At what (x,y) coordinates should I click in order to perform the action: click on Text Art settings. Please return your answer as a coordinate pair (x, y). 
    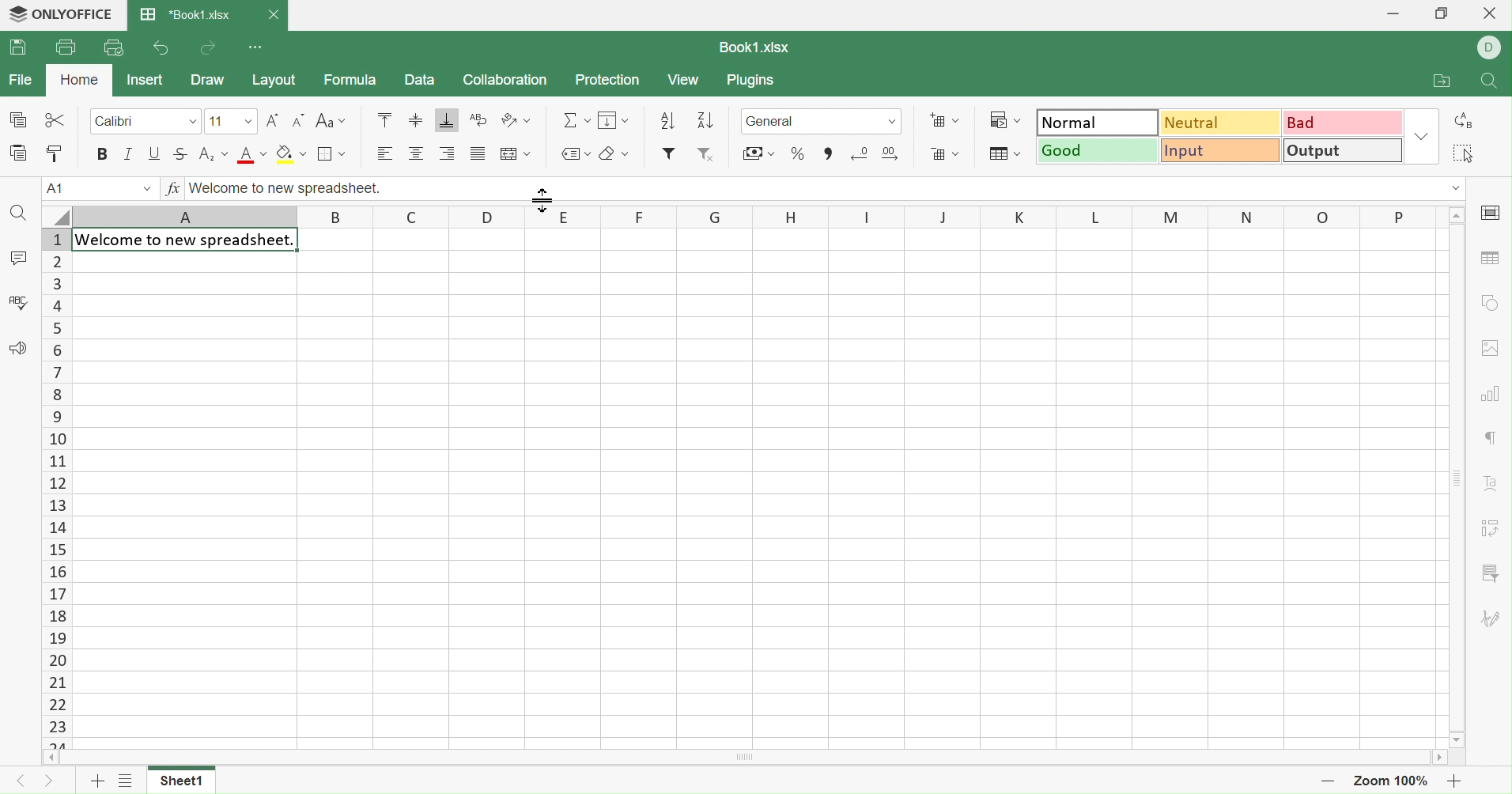
    Looking at the image, I should click on (1495, 486).